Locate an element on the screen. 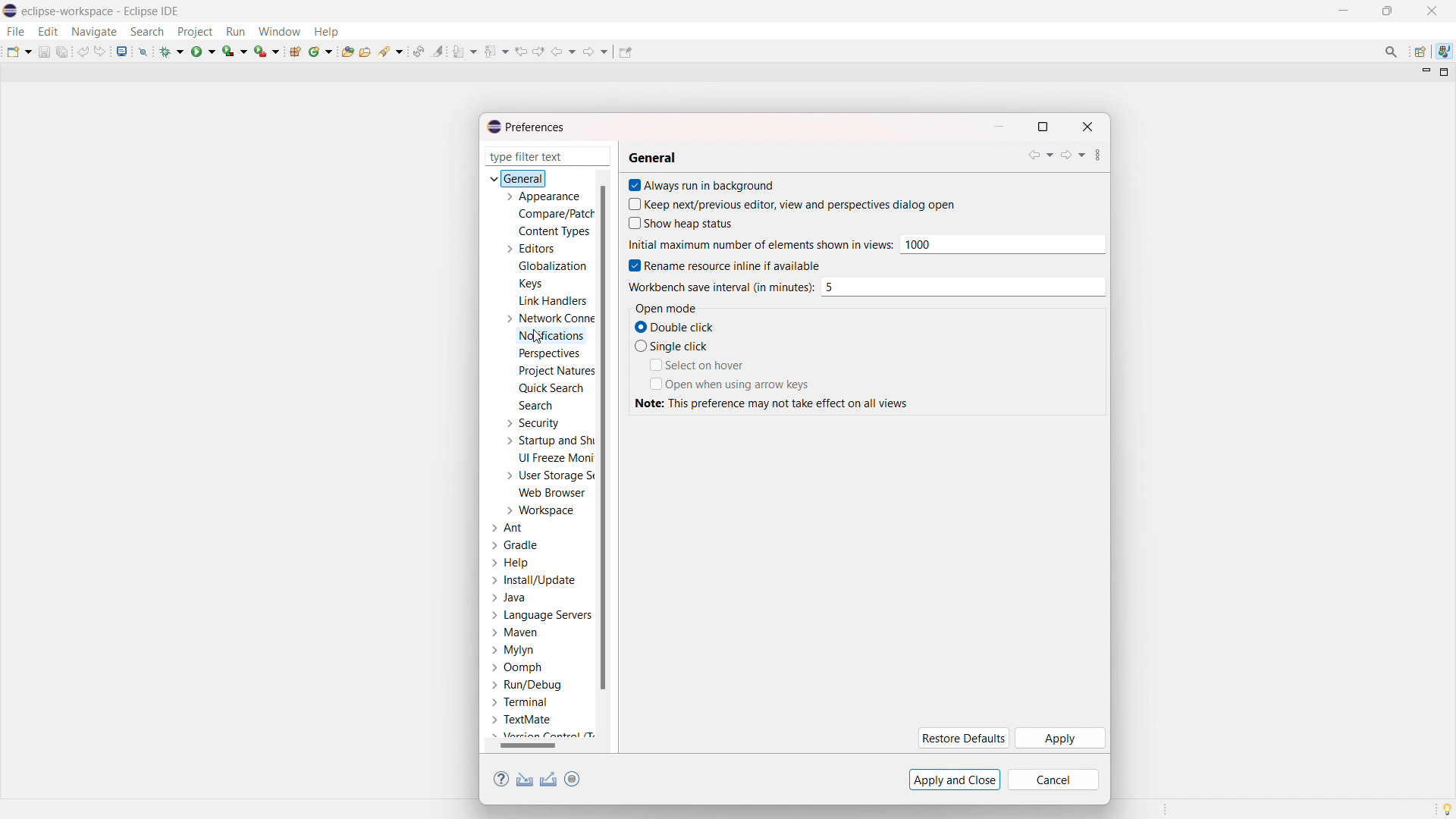 The height and width of the screenshot is (819, 1456). run last tool is located at coordinates (268, 51).